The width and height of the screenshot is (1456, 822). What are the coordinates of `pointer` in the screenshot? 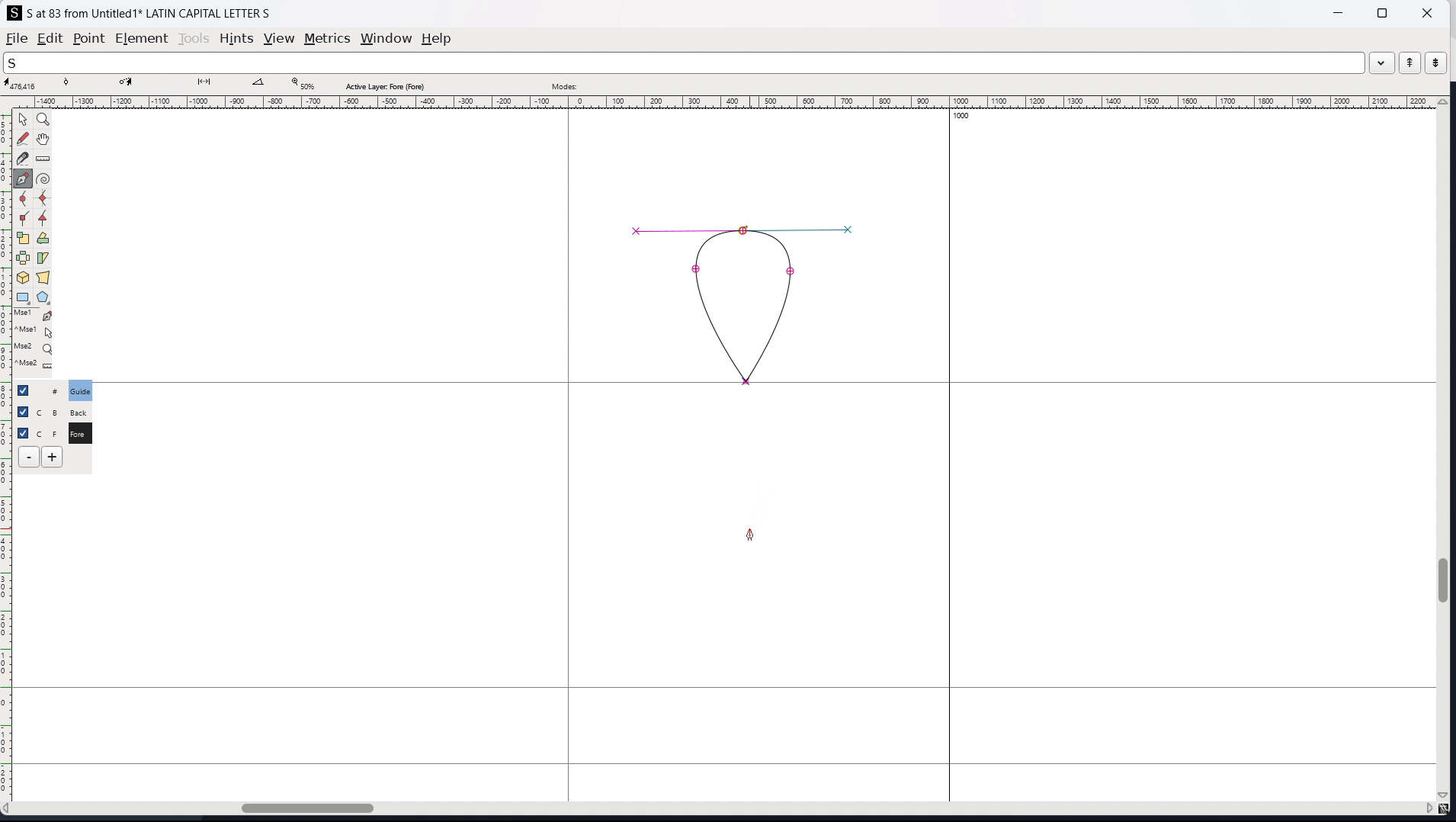 It's located at (24, 119).